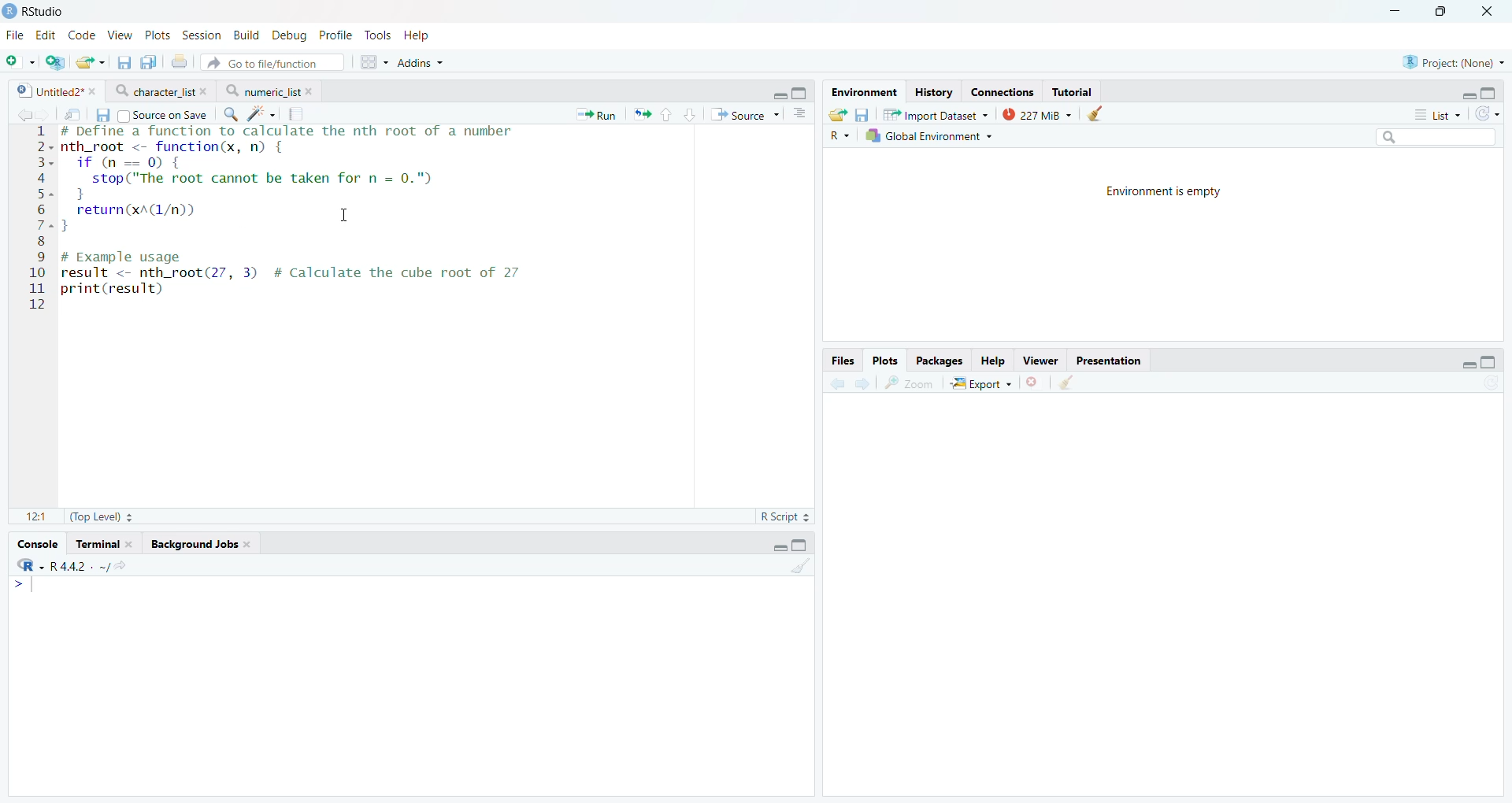 This screenshot has width=1512, height=803. Describe the element at coordinates (862, 383) in the screenshot. I see `Go to next plot` at that location.